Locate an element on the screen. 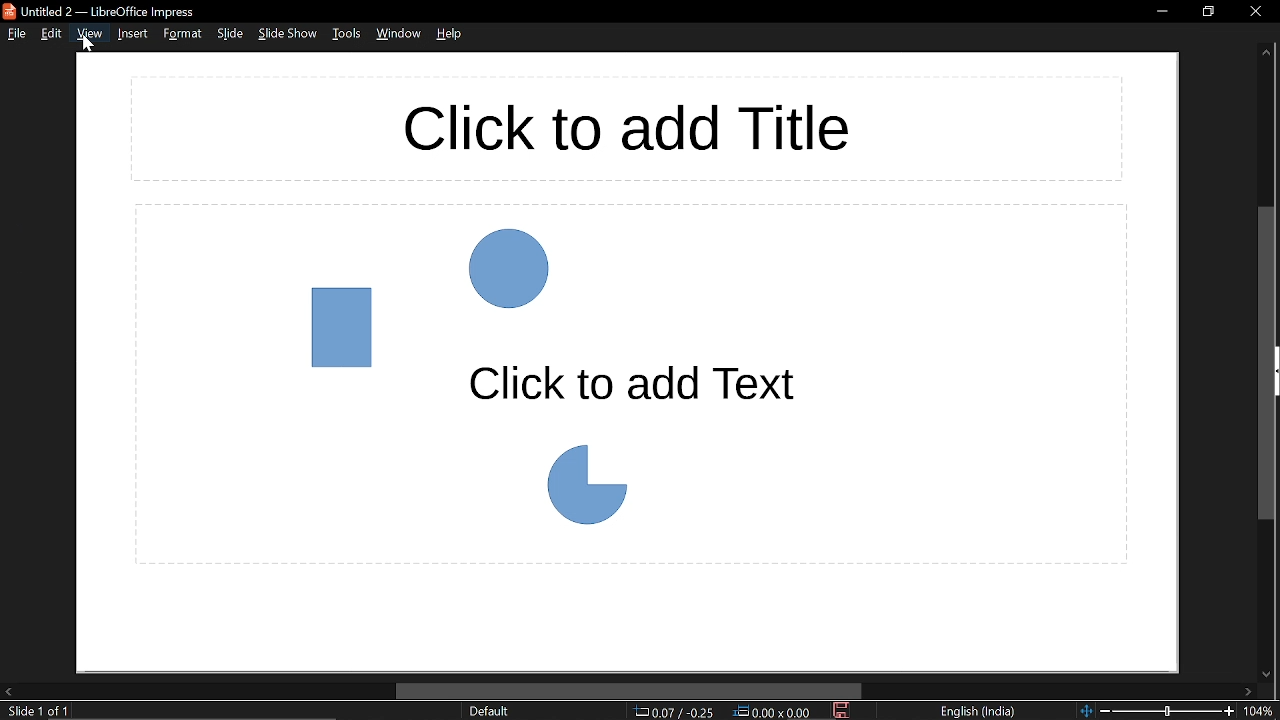 The height and width of the screenshot is (720, 1280). current zoom is located at coordinates (1262, 712).